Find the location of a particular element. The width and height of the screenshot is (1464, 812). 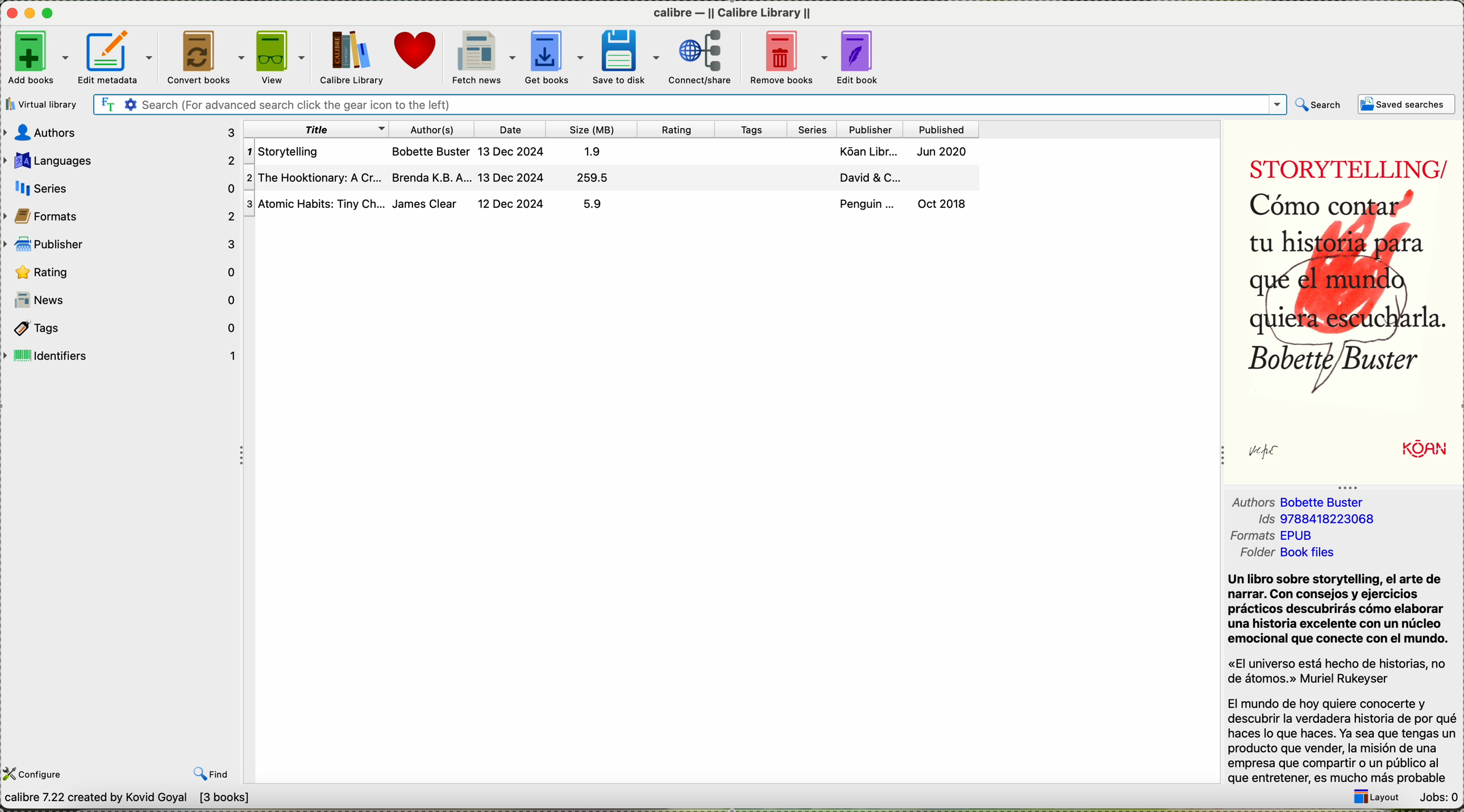

layout is located at coordinates (1376, 798).